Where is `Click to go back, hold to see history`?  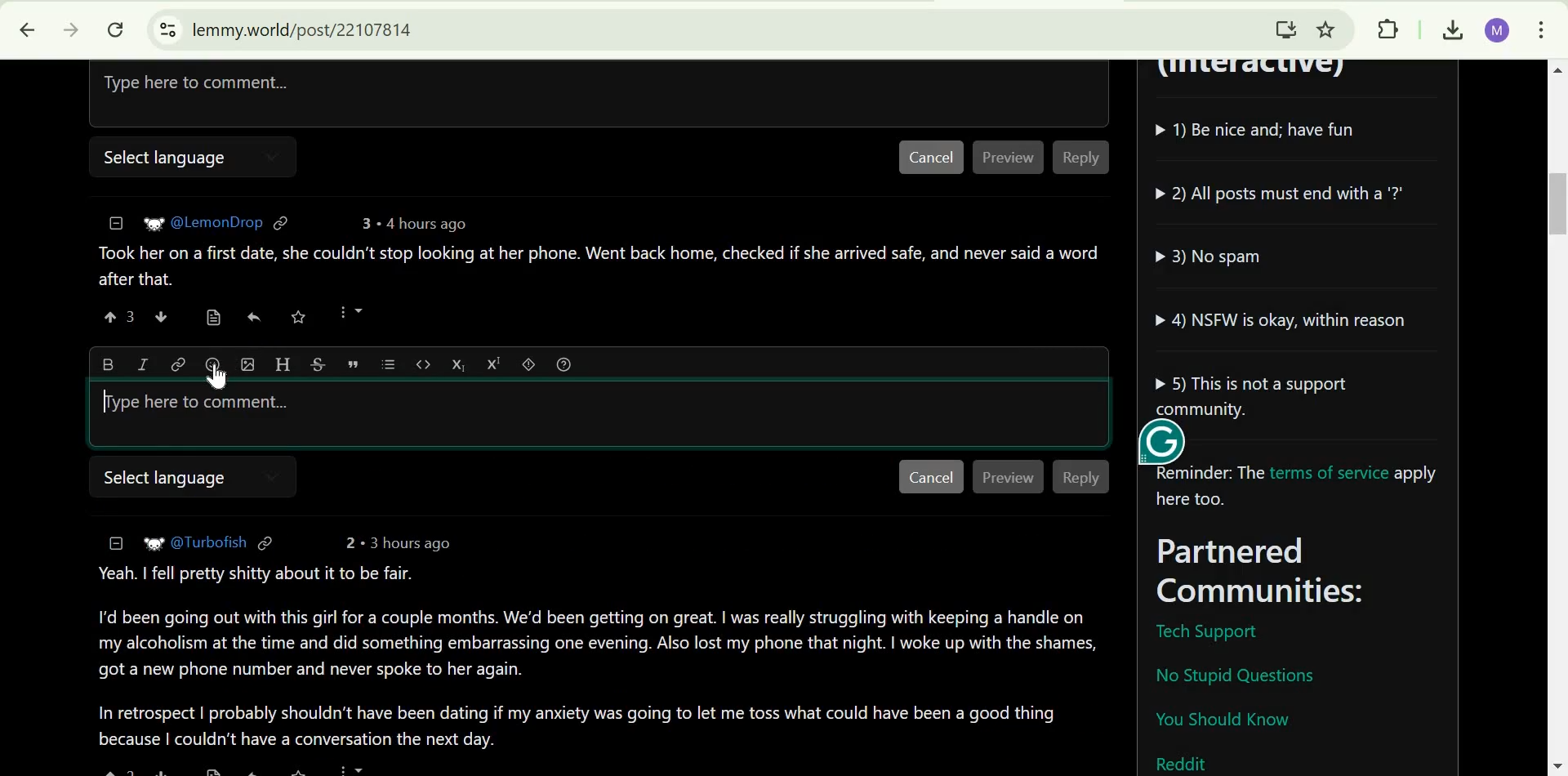
Click to go back, hold to see history is located at coordinates (19, 30).